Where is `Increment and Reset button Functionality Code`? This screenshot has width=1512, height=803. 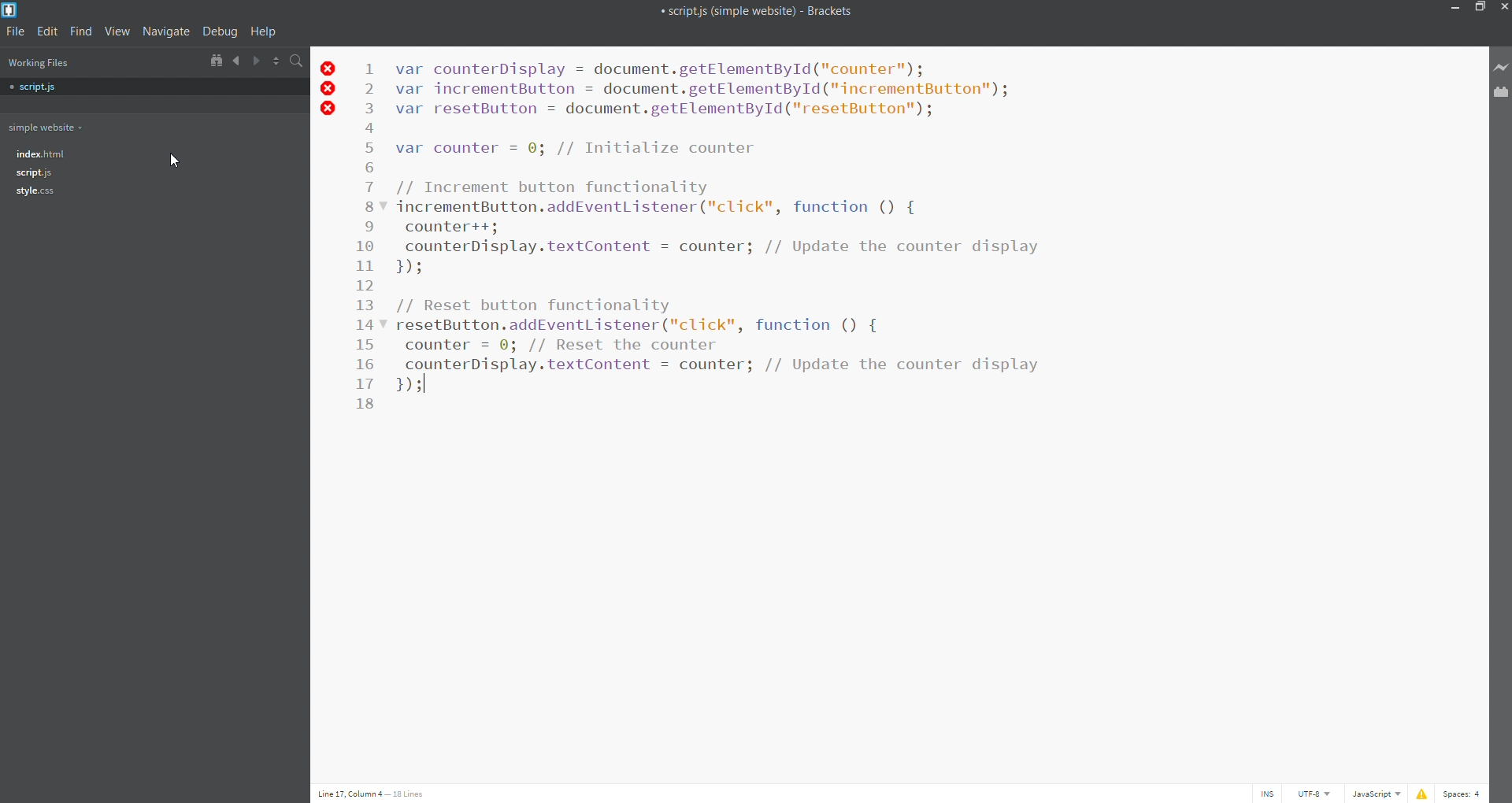 Increment and Reset button Functionality Code is located at coordinates (749, 236).